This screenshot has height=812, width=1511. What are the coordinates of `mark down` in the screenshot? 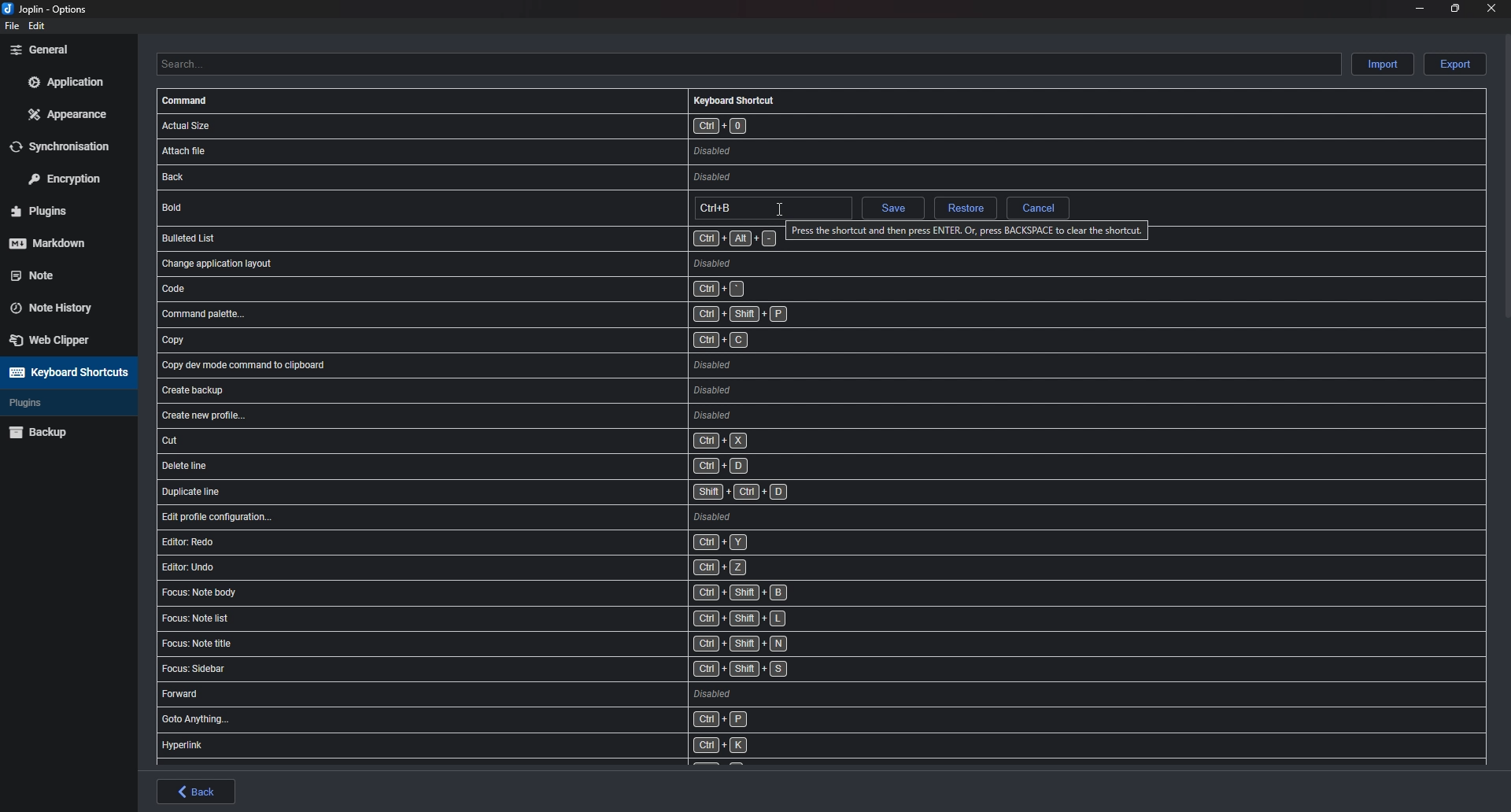 It's located at (61, 242).